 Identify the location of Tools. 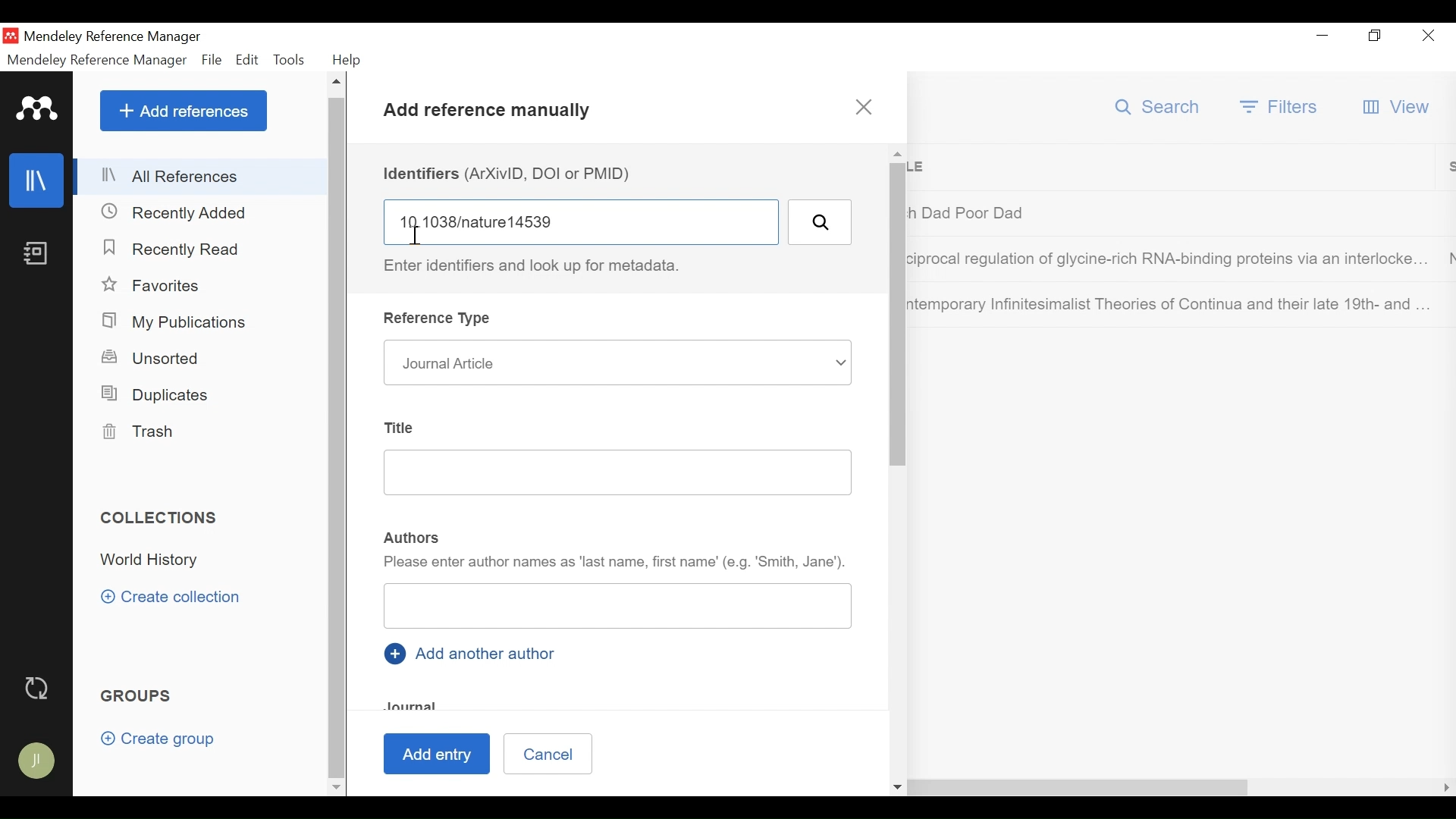
(290, 58).